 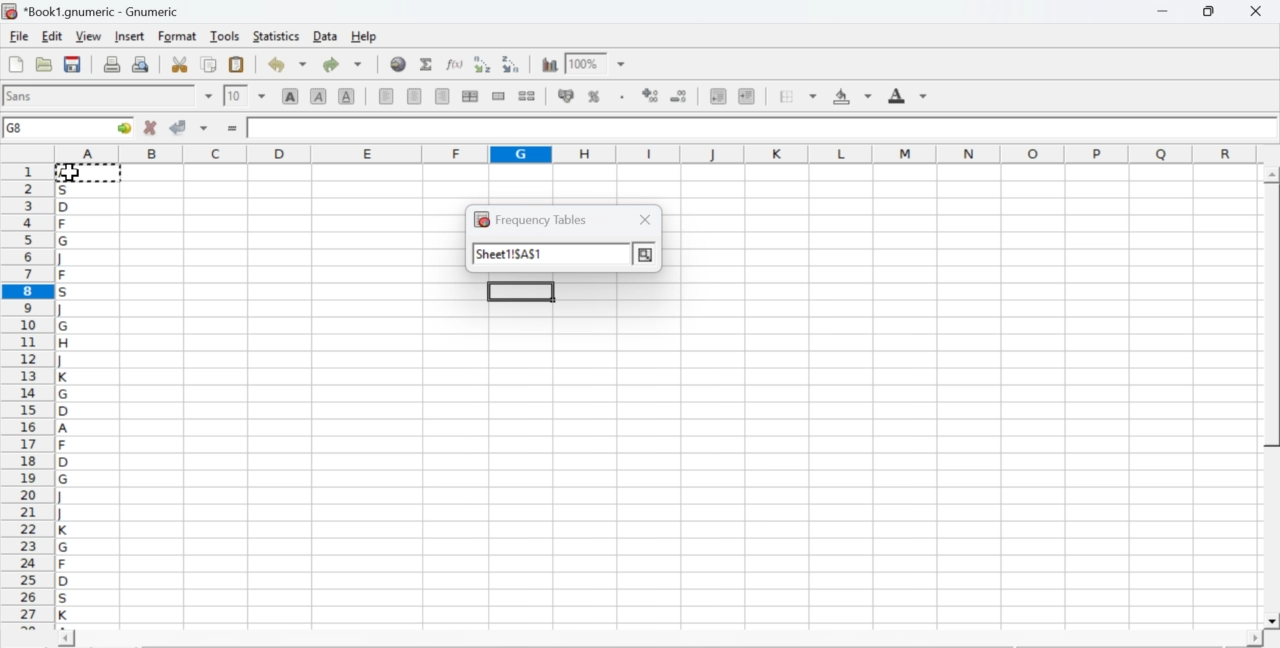 I want to click on sheet!$G$8, so click(x=510, y=255).